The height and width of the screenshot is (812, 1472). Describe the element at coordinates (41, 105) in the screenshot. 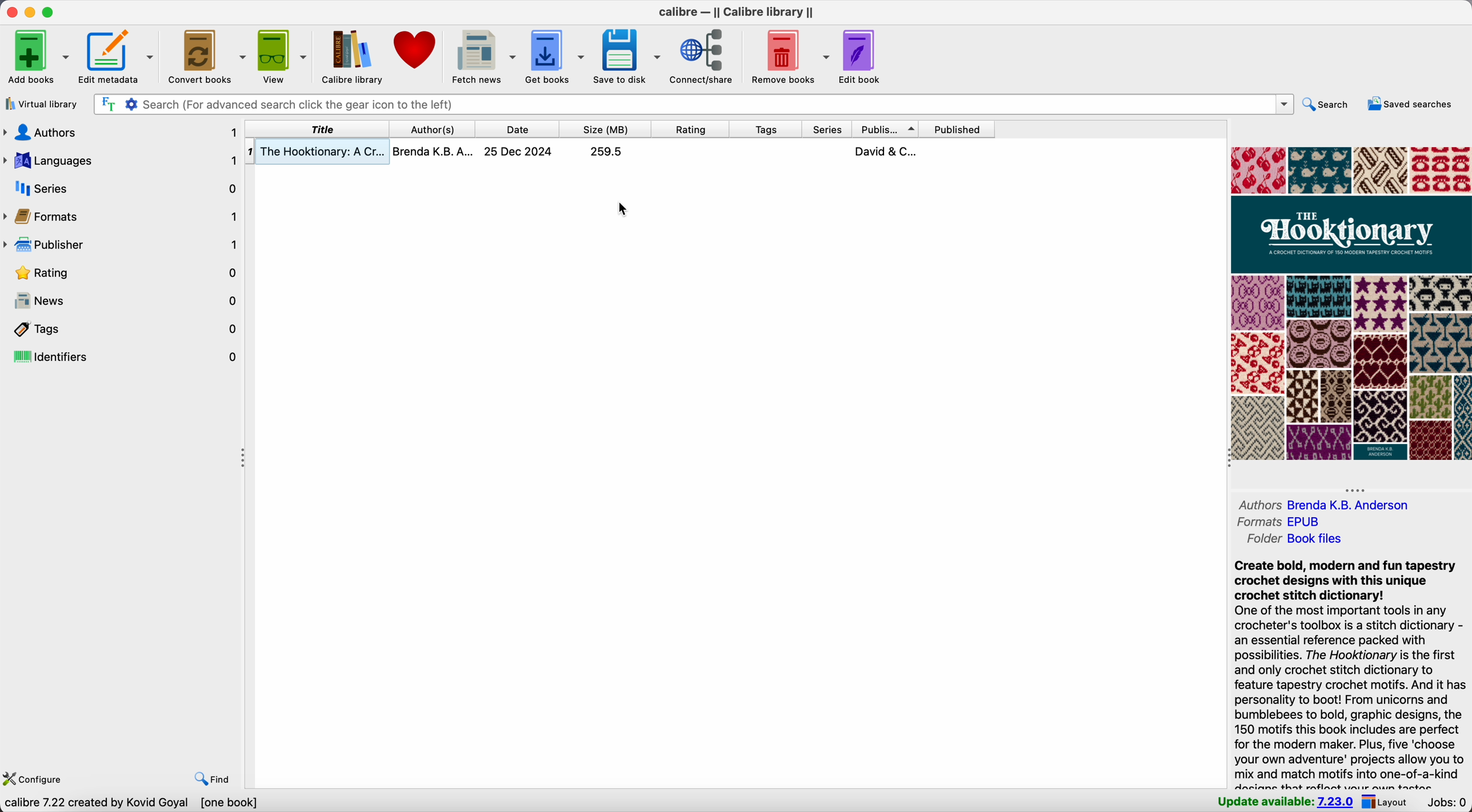

I see `virtual library` at that location.